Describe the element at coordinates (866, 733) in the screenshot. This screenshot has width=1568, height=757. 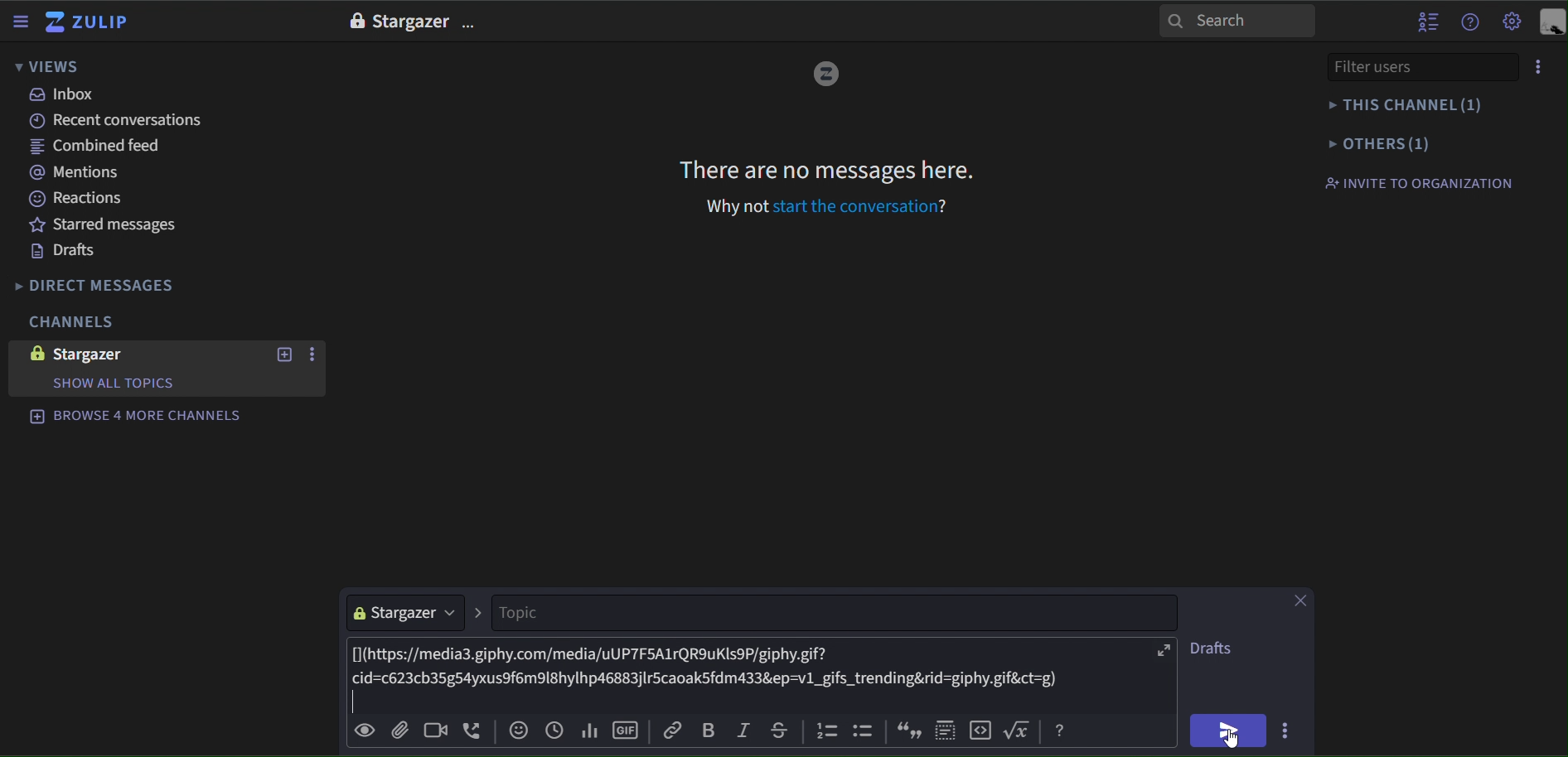
I see `icon` at that location.